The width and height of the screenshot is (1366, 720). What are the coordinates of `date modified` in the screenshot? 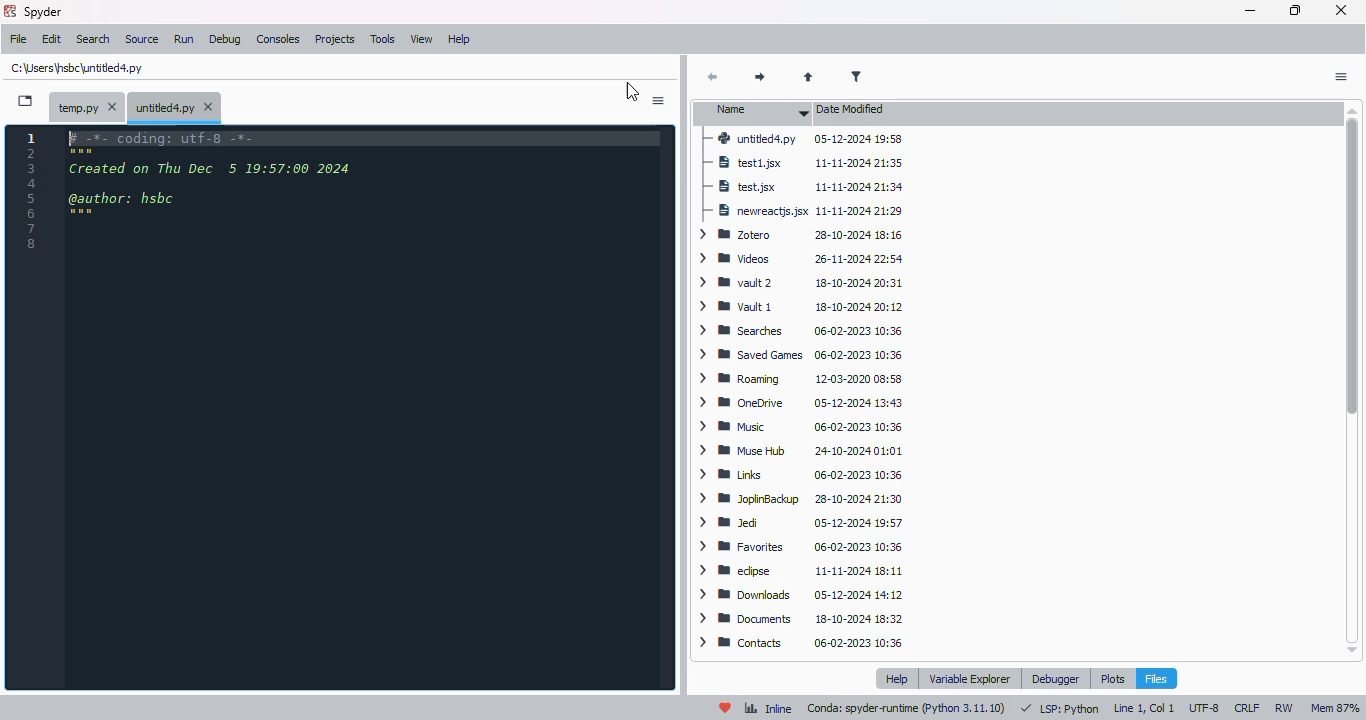 It's located at (859, 163).